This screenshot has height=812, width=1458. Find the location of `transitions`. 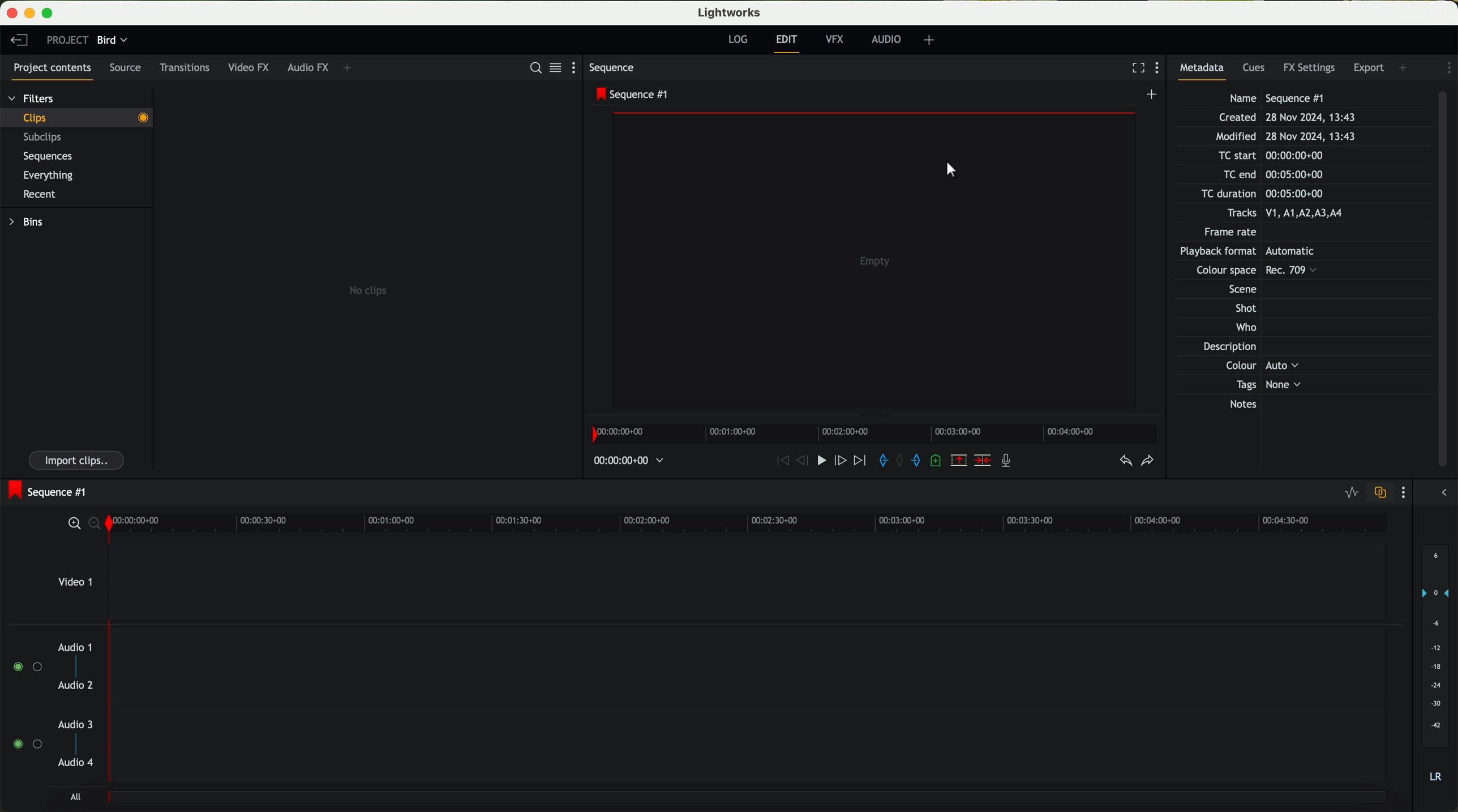

transitions is located at coordinates (188, 67).